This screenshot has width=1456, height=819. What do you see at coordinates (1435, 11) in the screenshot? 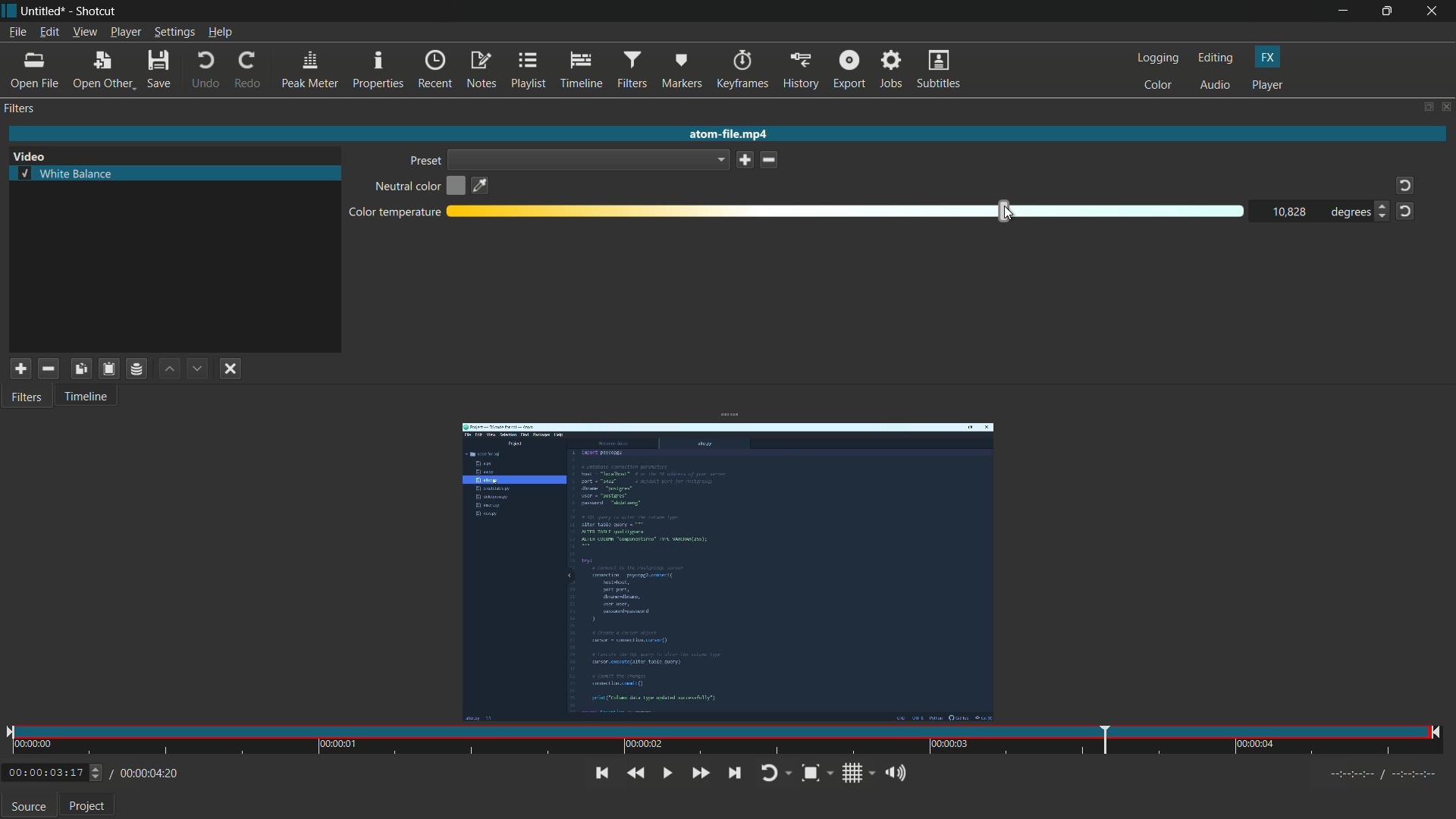
I see `close app` at bounding box center [1435, 11].